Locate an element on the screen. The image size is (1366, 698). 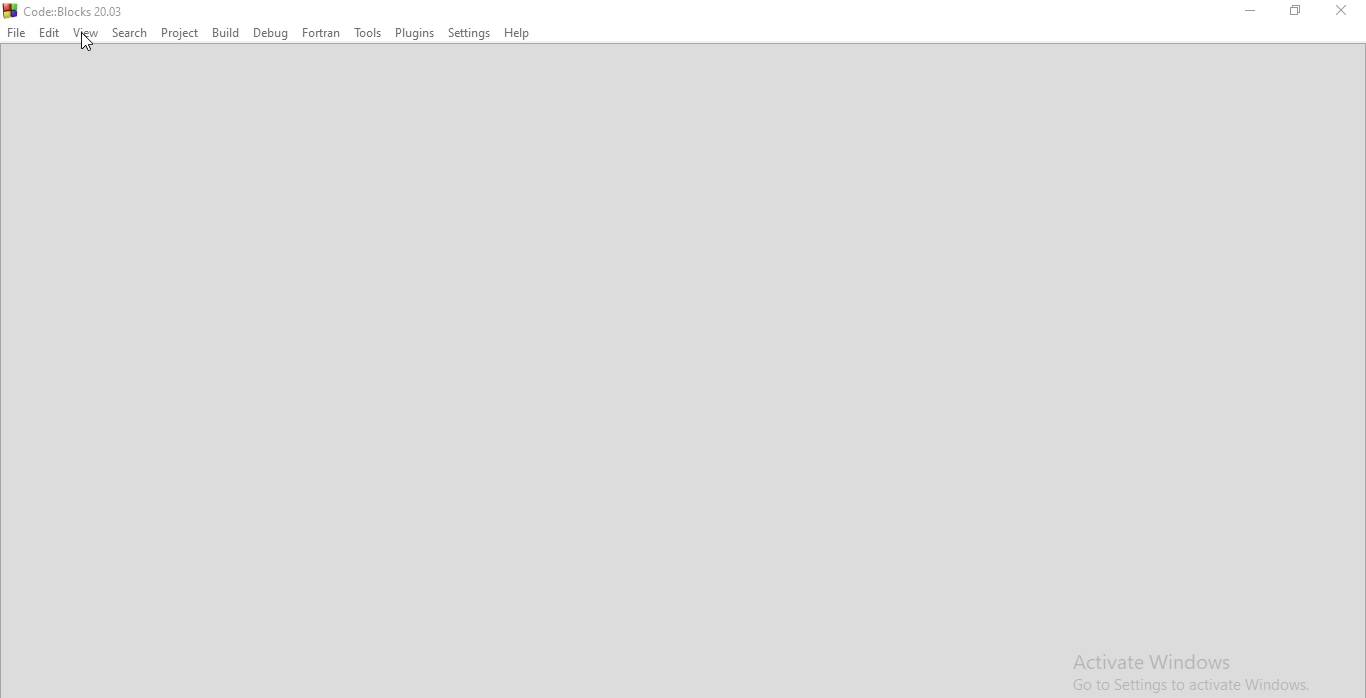
cursor on view is located at coordinates (87, 44).